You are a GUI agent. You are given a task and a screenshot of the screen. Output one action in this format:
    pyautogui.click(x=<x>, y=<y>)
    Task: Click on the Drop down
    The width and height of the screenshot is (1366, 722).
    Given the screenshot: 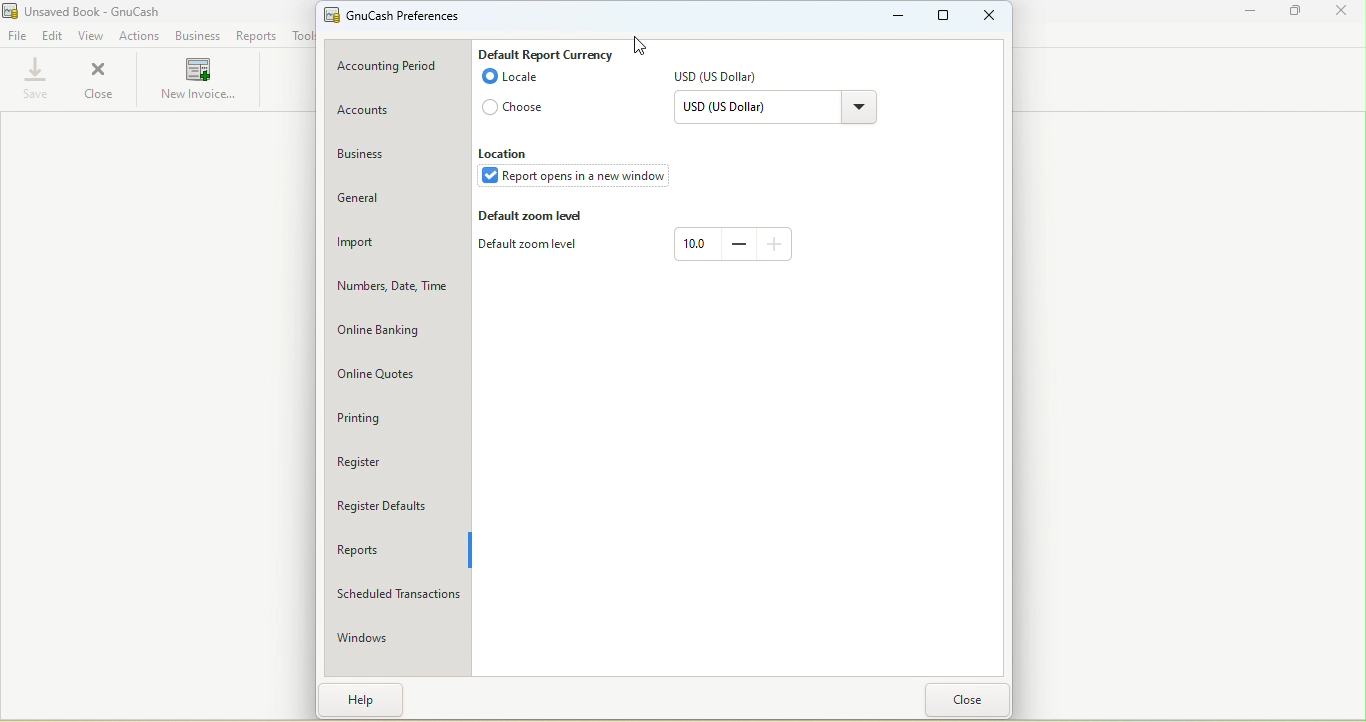 What is the action you would take?
    pyautogui.click(x=858, y=110)
    